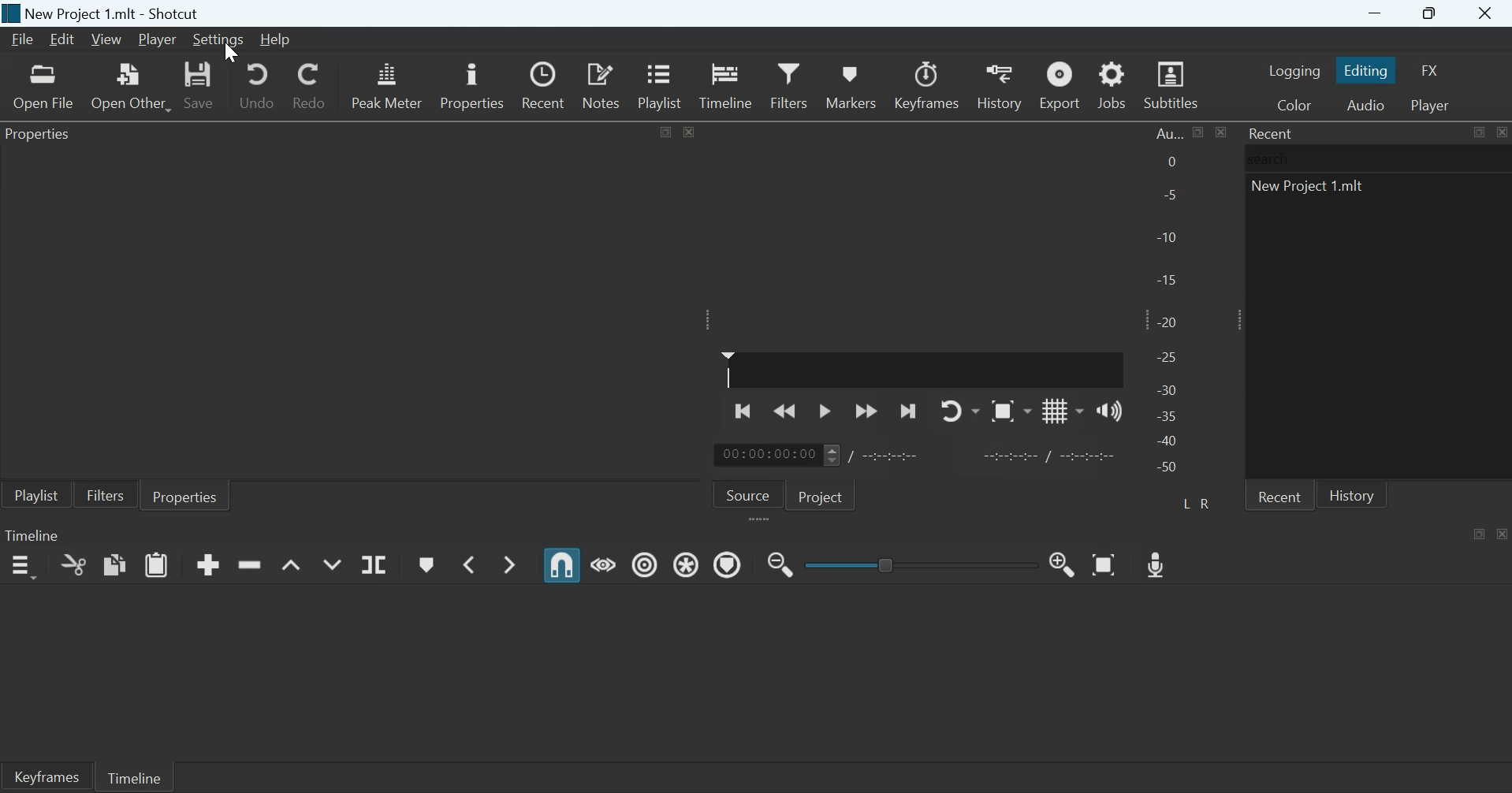 This screenshot has height=793, width=1512. I want to click on Close, so click(1487, 14).